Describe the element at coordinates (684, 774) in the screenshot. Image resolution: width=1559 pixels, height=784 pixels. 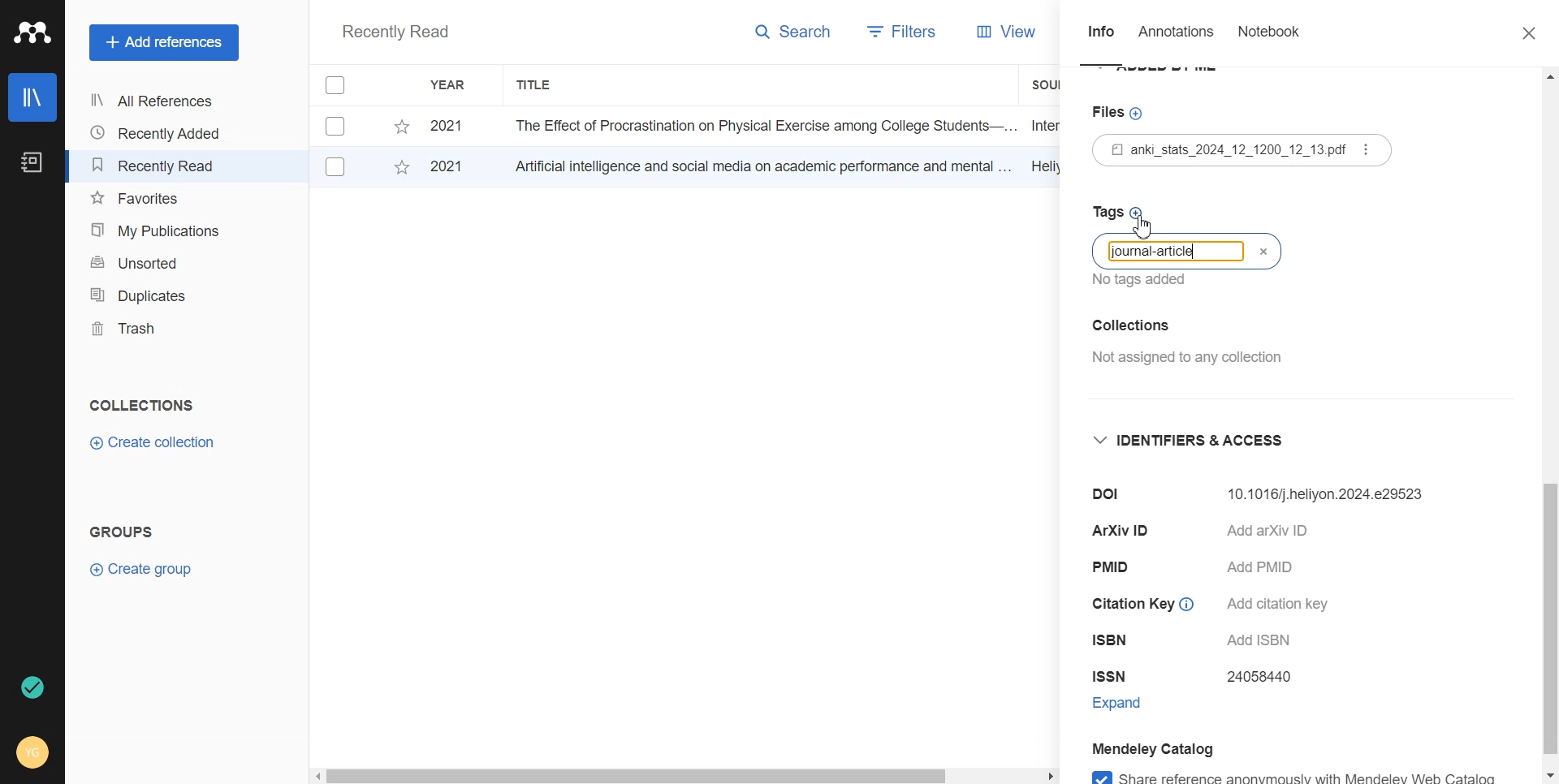
I see `Horizontal scroll bar` at that location.